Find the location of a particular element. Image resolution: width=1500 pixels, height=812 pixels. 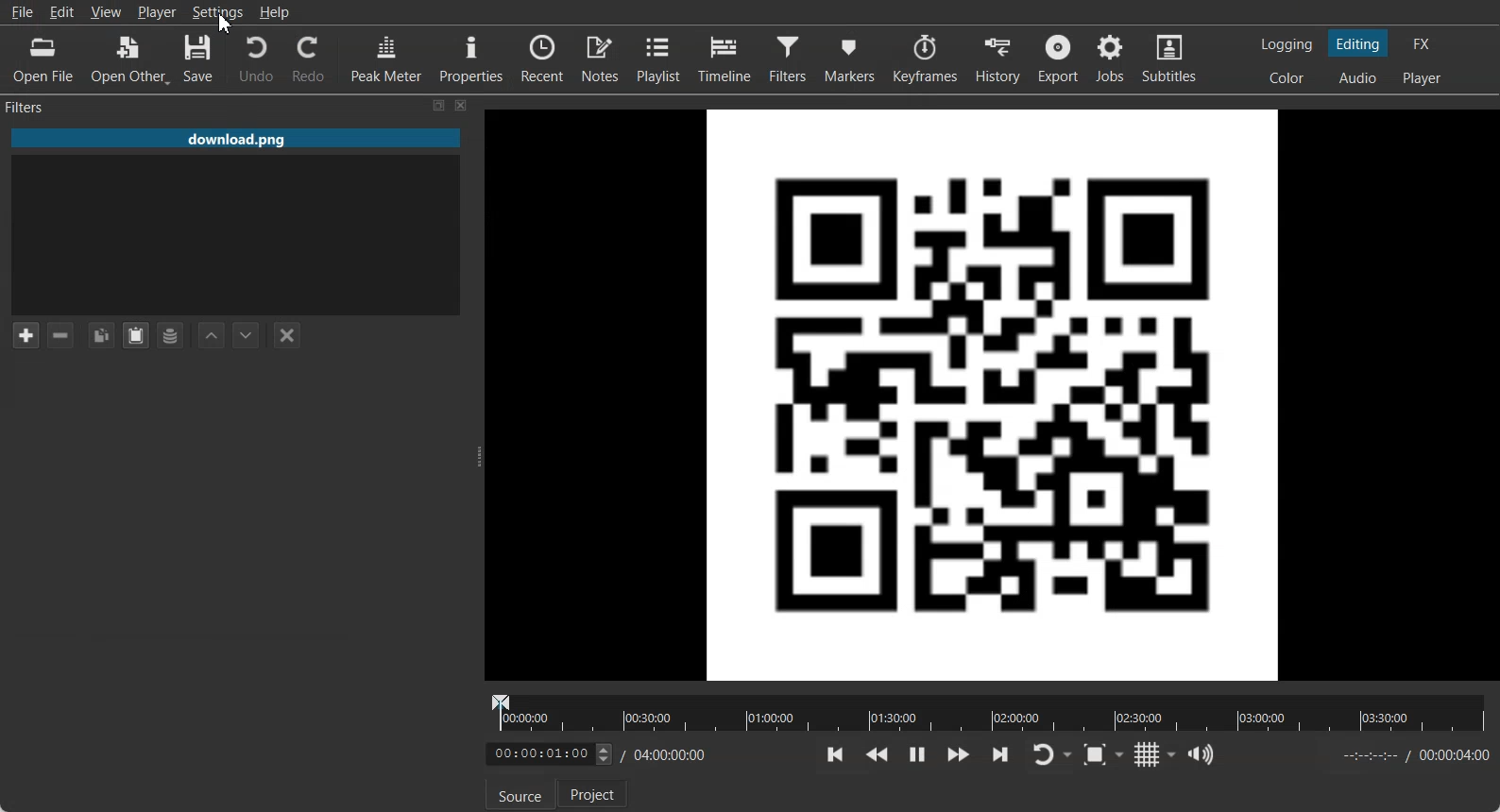

Open Other is located at coordinates (129, 59).